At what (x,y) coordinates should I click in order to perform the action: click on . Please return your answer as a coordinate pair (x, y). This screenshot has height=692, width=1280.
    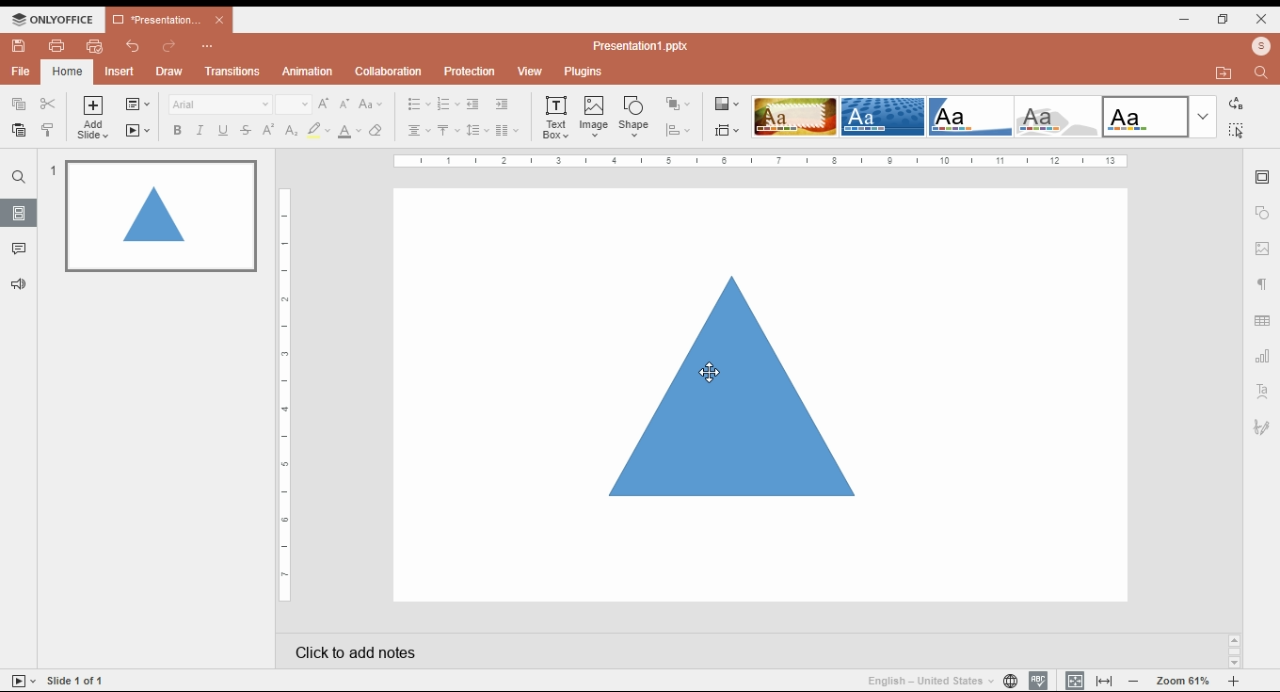
    Looking at the image, I should click on (1262, 428).